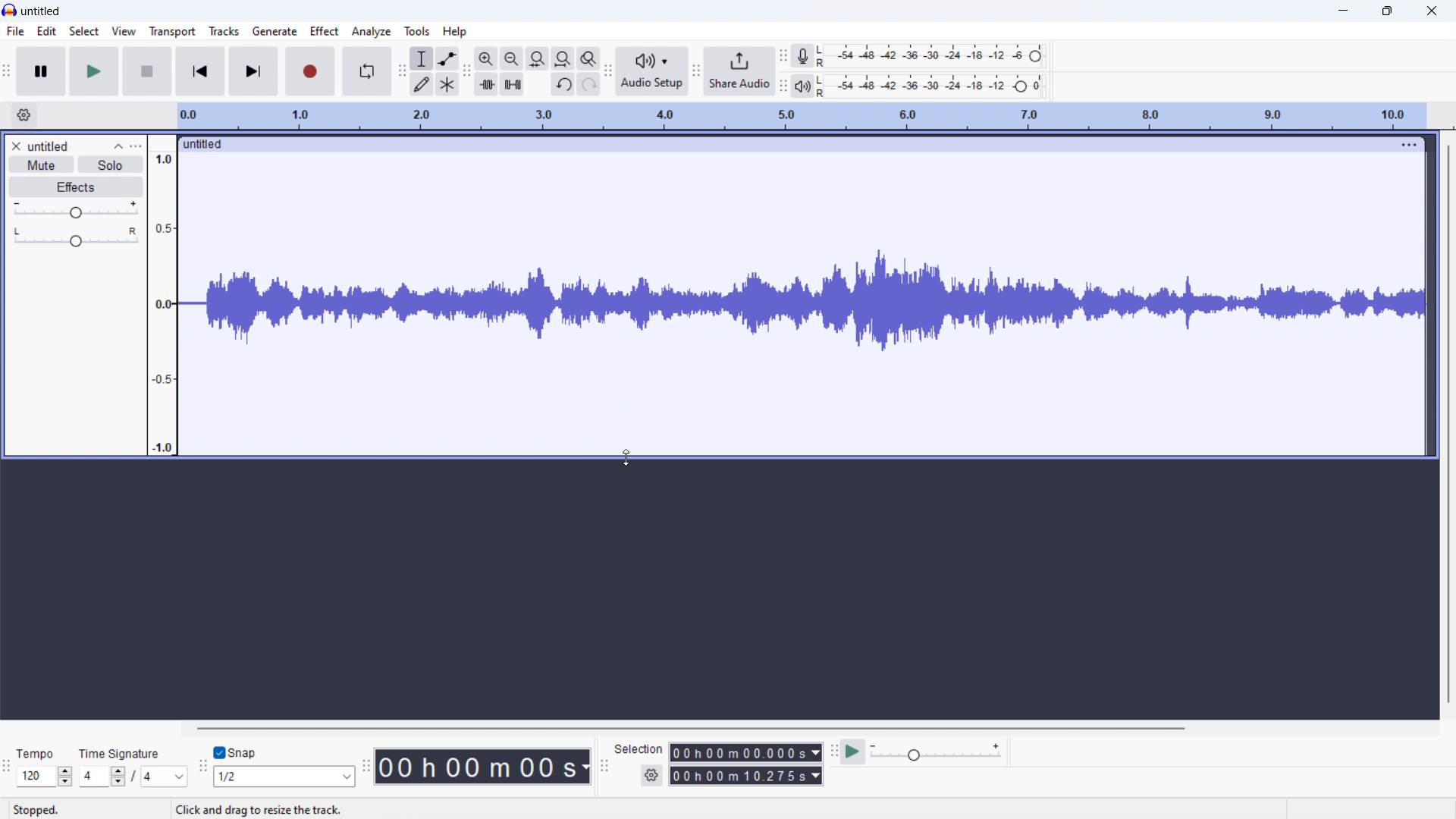 This screenshot has height=819, width=1456. What do you see at coordinates (401, 73) in the screenshot?
I see `tools toolbar` at bounding box center [401, 73].